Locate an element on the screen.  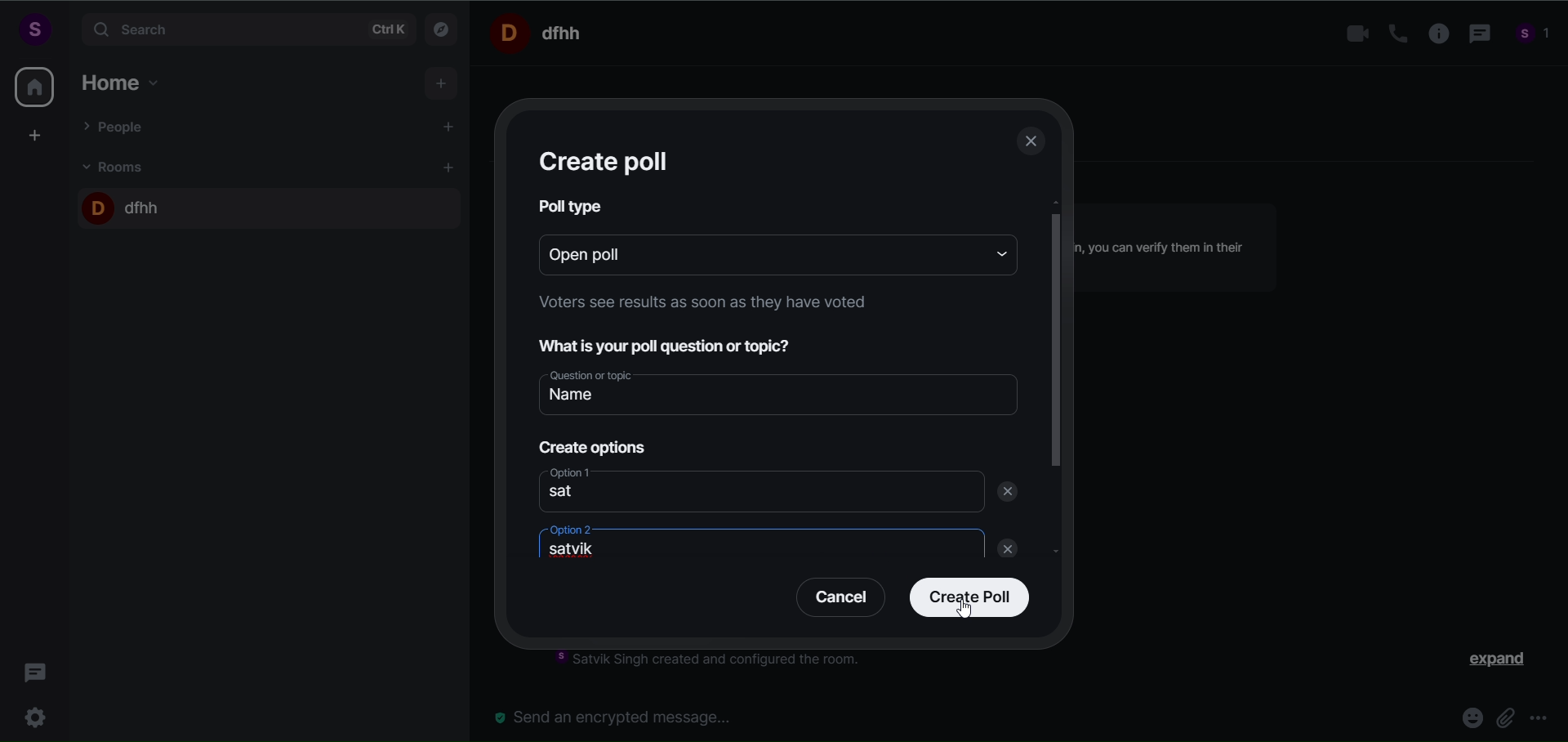
people is located at coordinates (117, 126).